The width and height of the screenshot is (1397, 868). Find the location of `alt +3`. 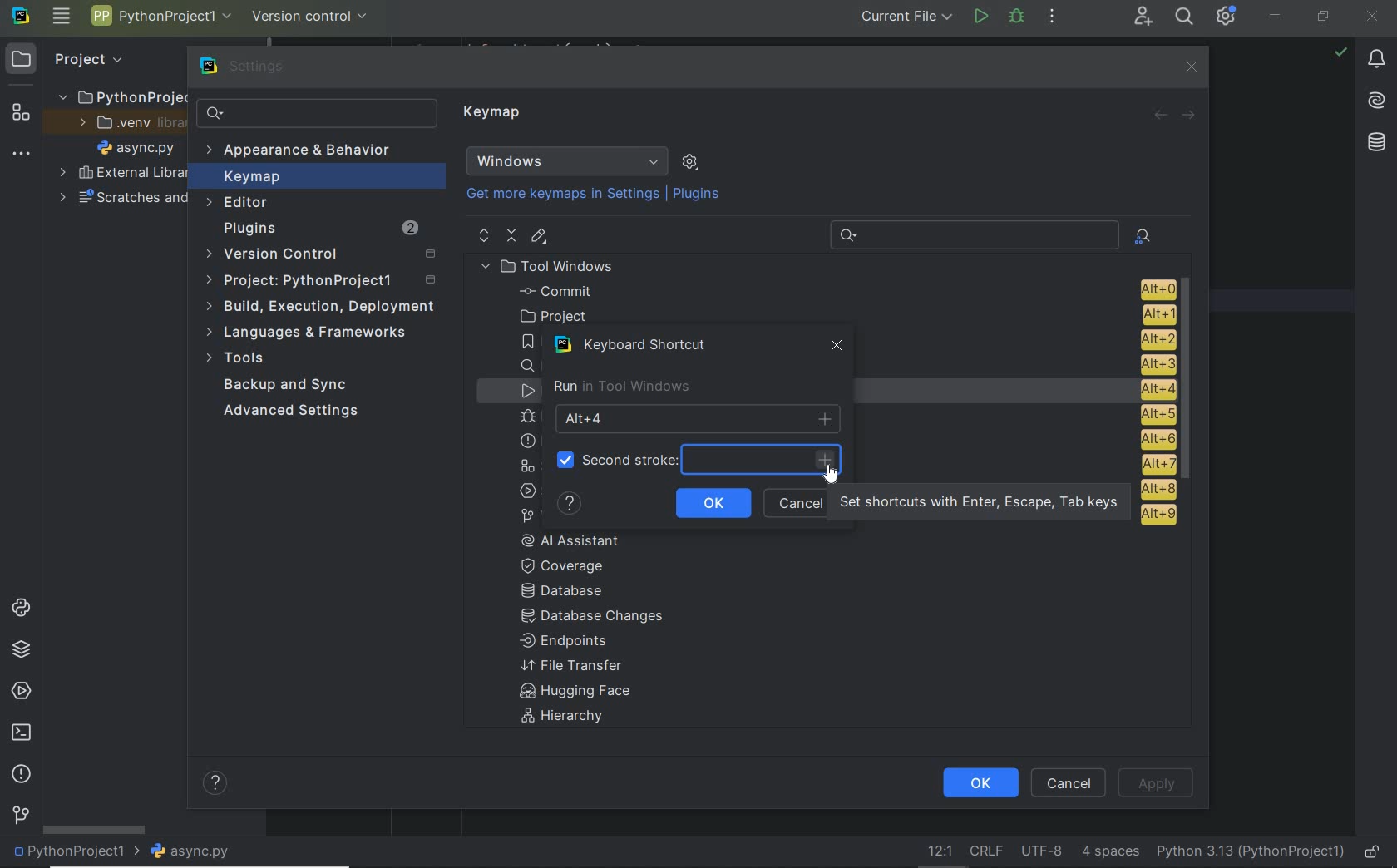

alt +3 is located at coordinates (1153, 363).